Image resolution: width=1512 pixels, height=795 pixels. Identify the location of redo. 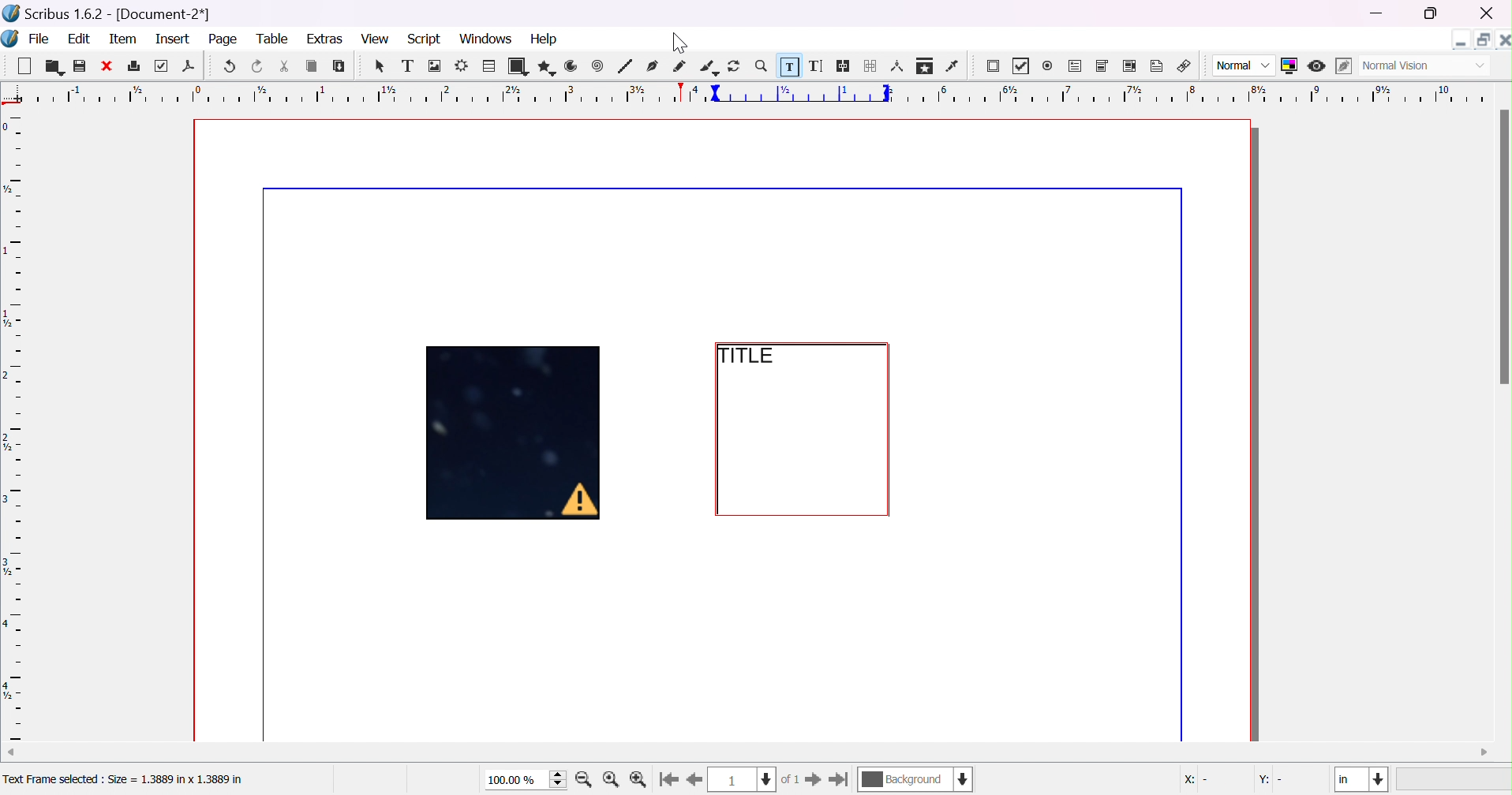
(258, 66).